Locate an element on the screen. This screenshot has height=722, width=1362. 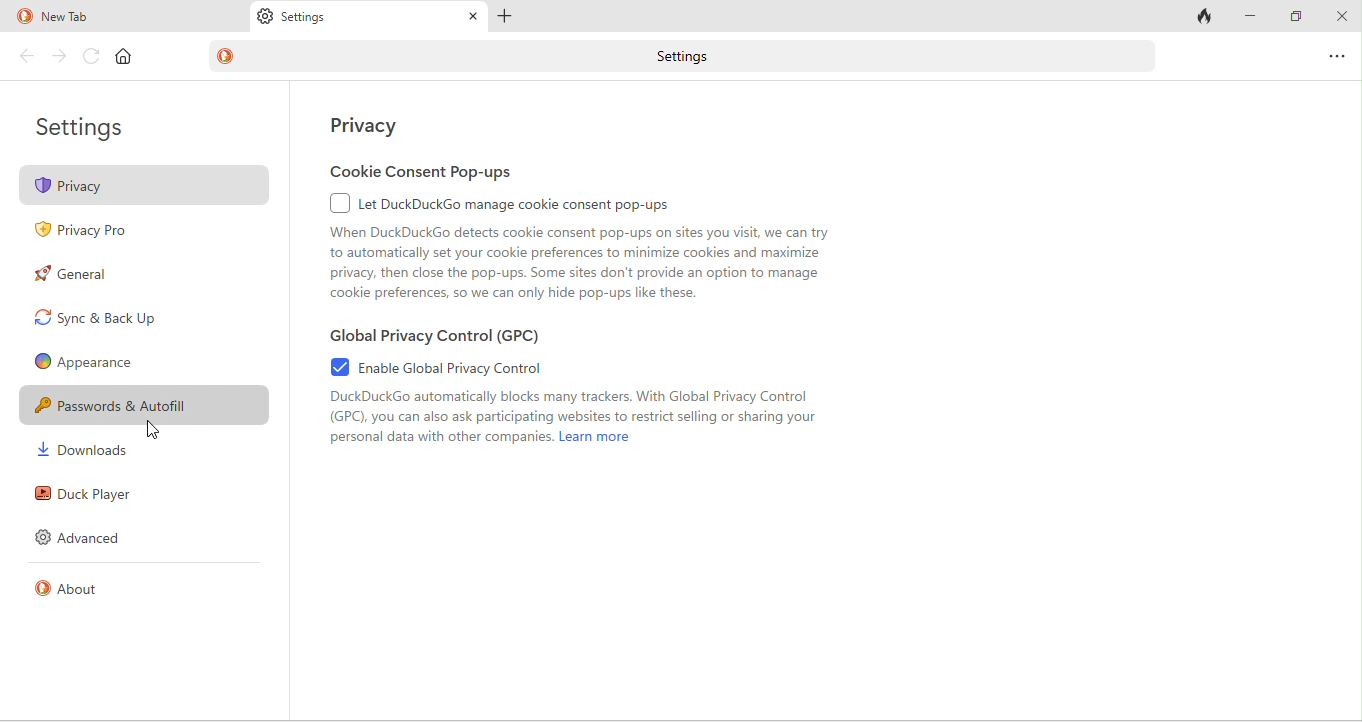
home is located at coordinates (127, 57).